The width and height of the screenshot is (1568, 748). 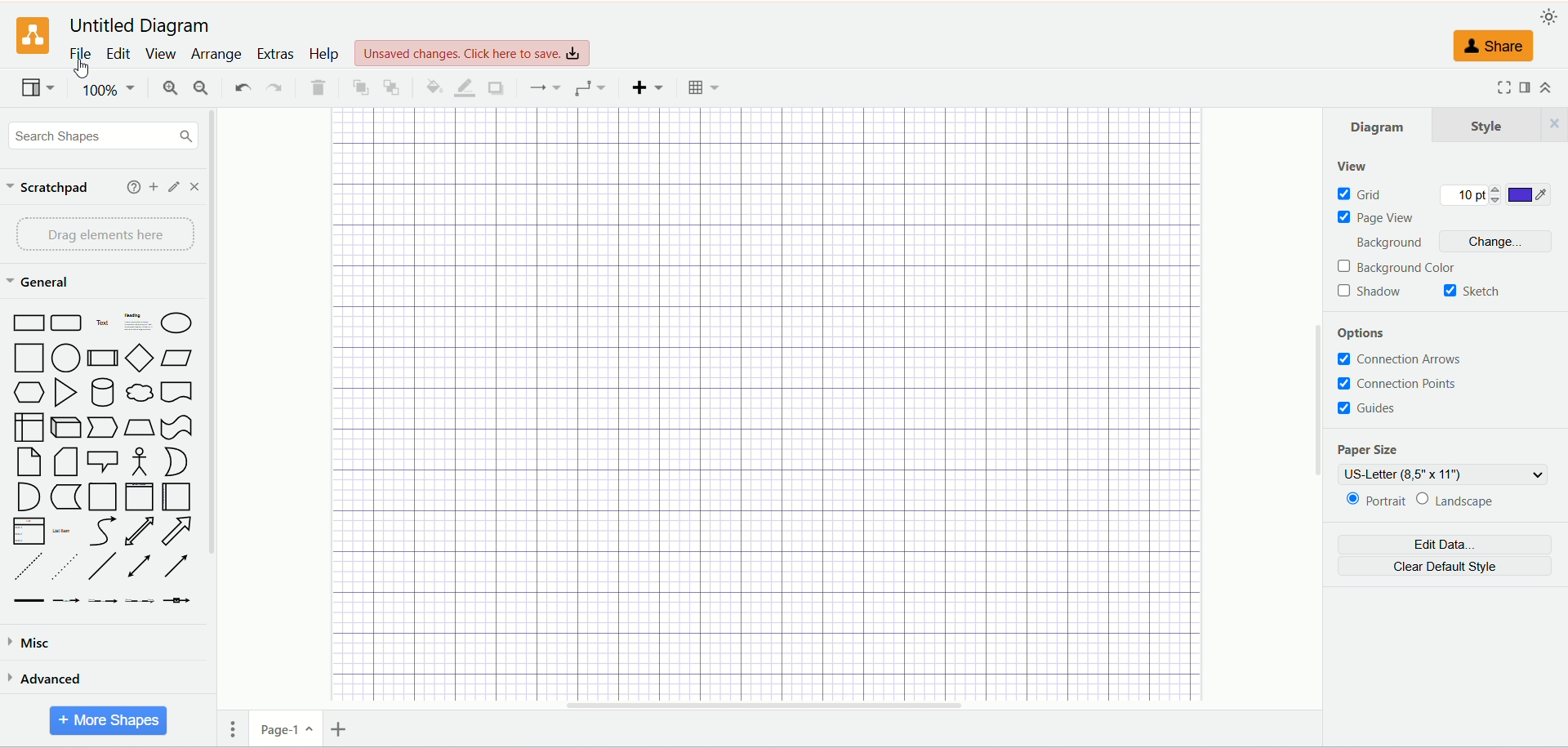 I want to click on Note, so click(x=29, y=463).